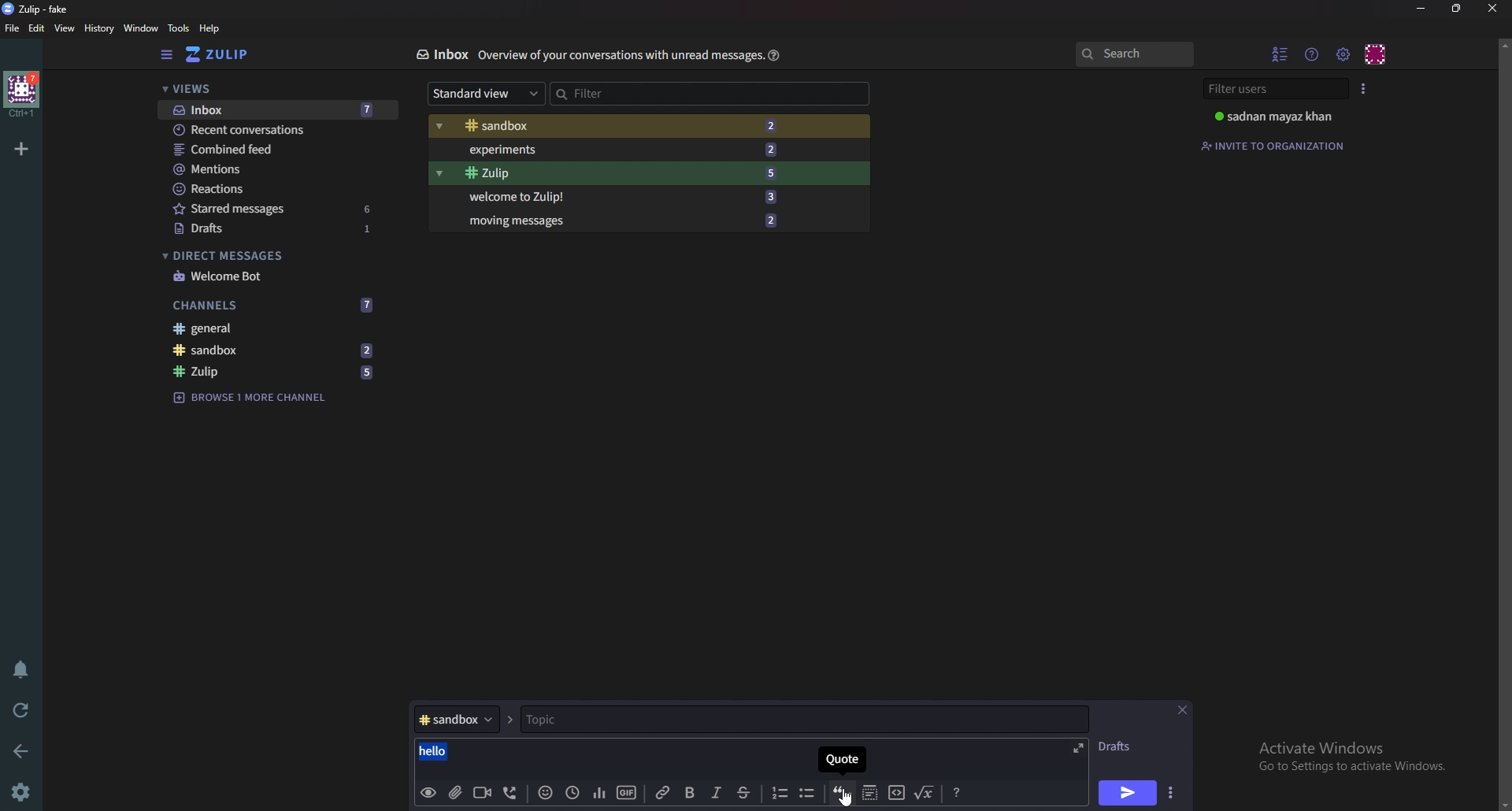 The image size is (1512, 811). Describe the element at coordinates (775, 125) in the screenshot. I see `2 ` at that location.